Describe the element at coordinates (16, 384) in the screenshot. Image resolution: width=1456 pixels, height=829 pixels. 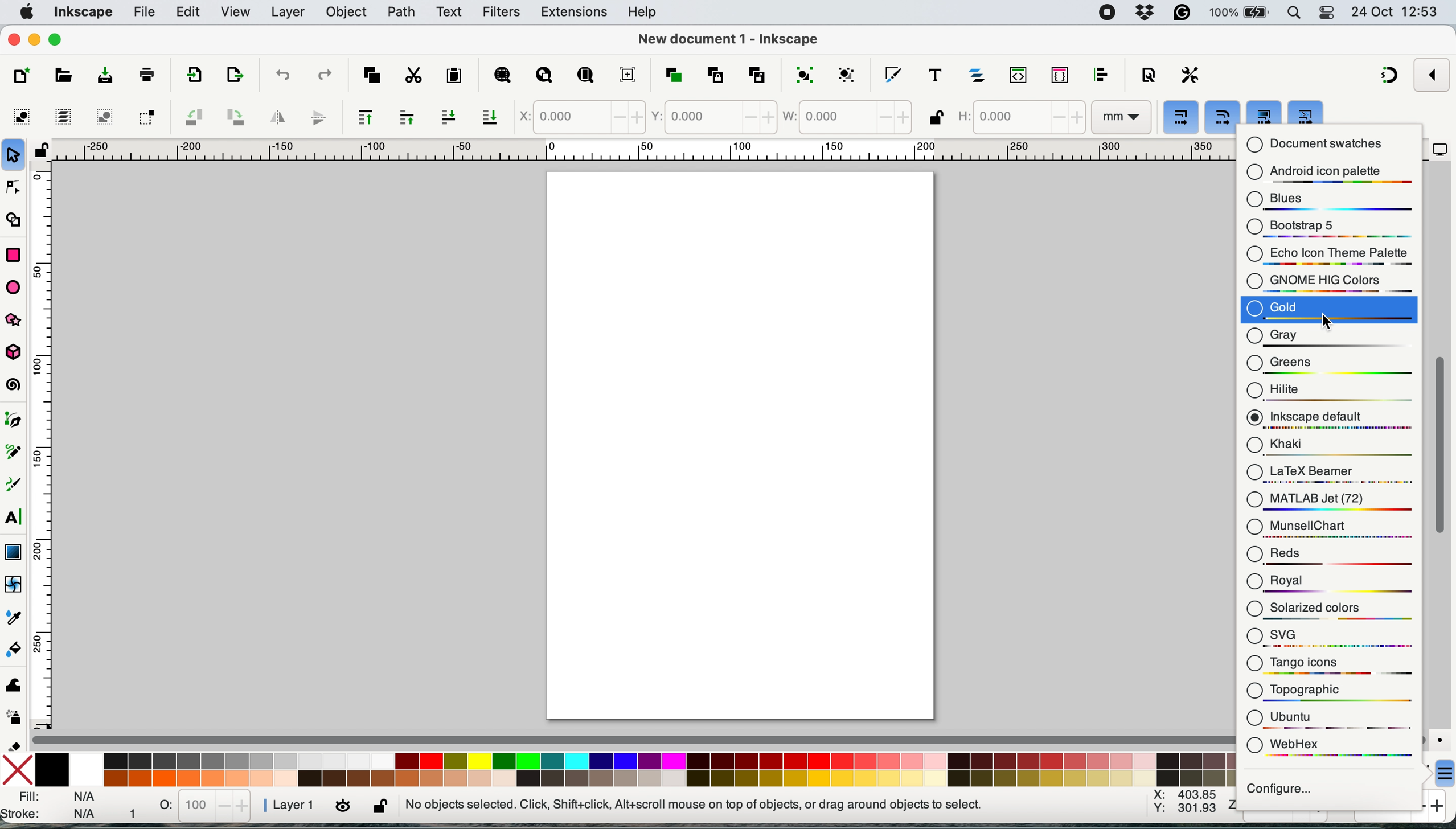
I see `spiral tool` at that location.